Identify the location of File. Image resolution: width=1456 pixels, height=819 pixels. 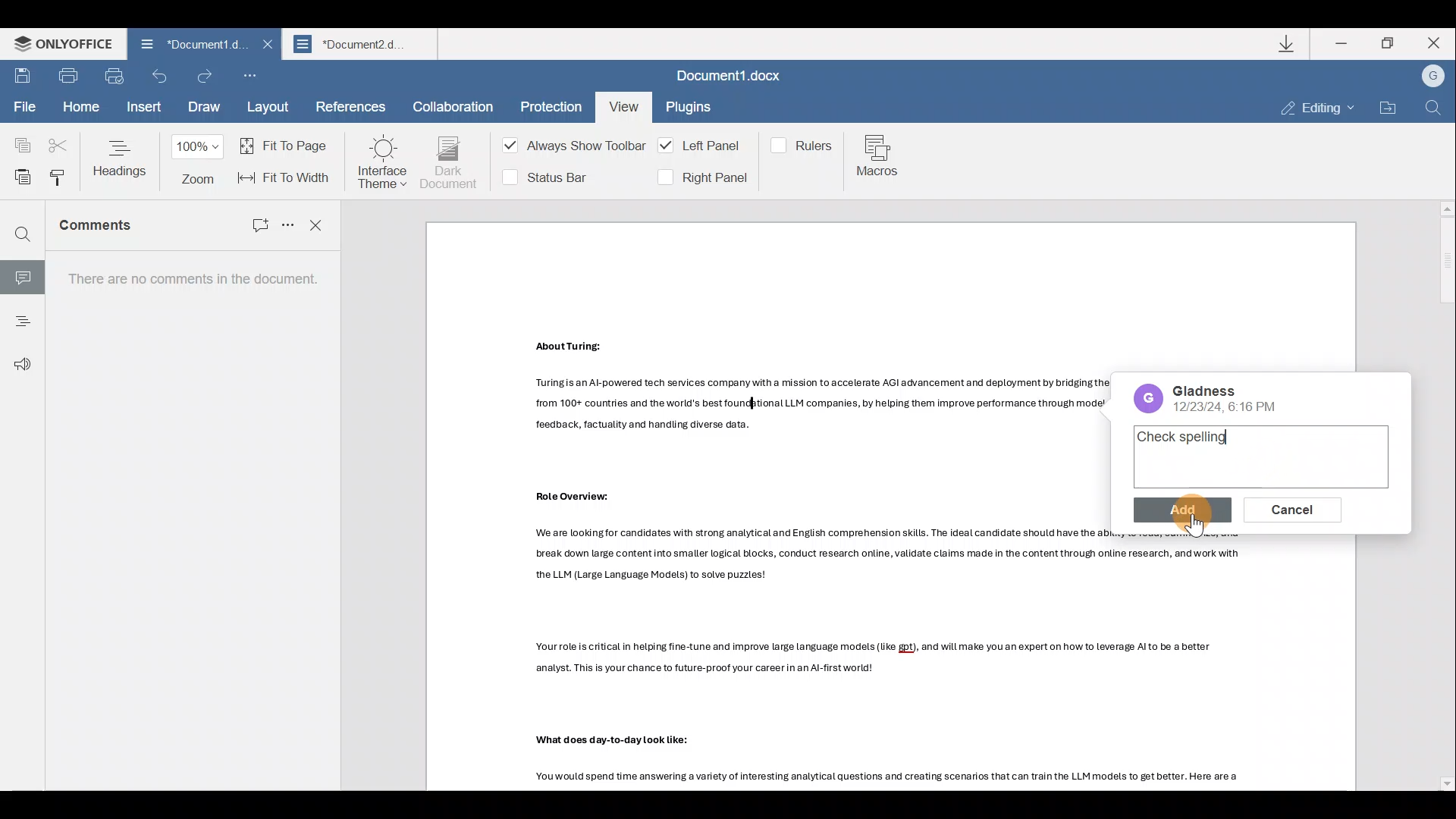
(24, 108).